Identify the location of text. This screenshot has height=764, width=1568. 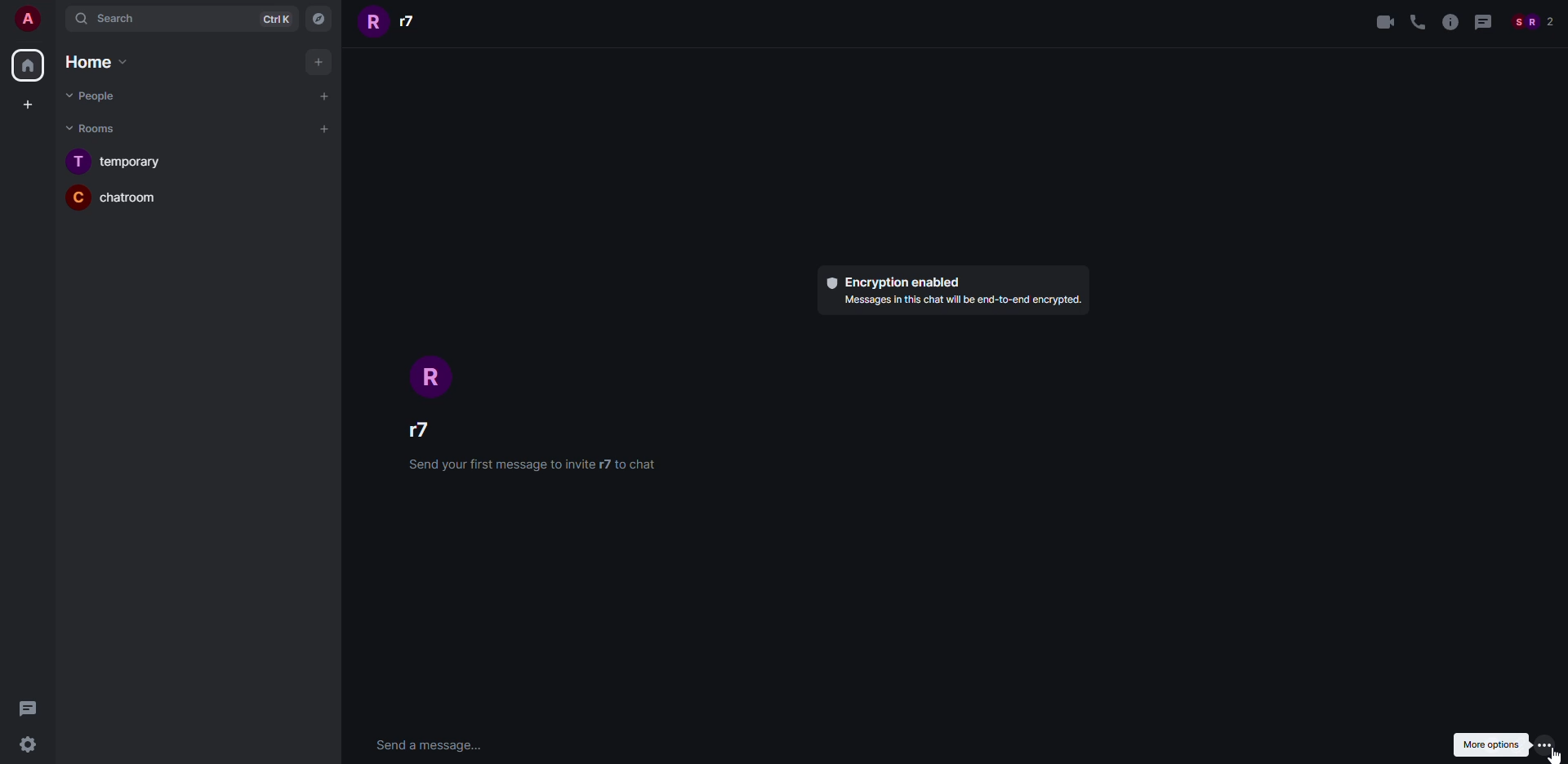
(960, 301).